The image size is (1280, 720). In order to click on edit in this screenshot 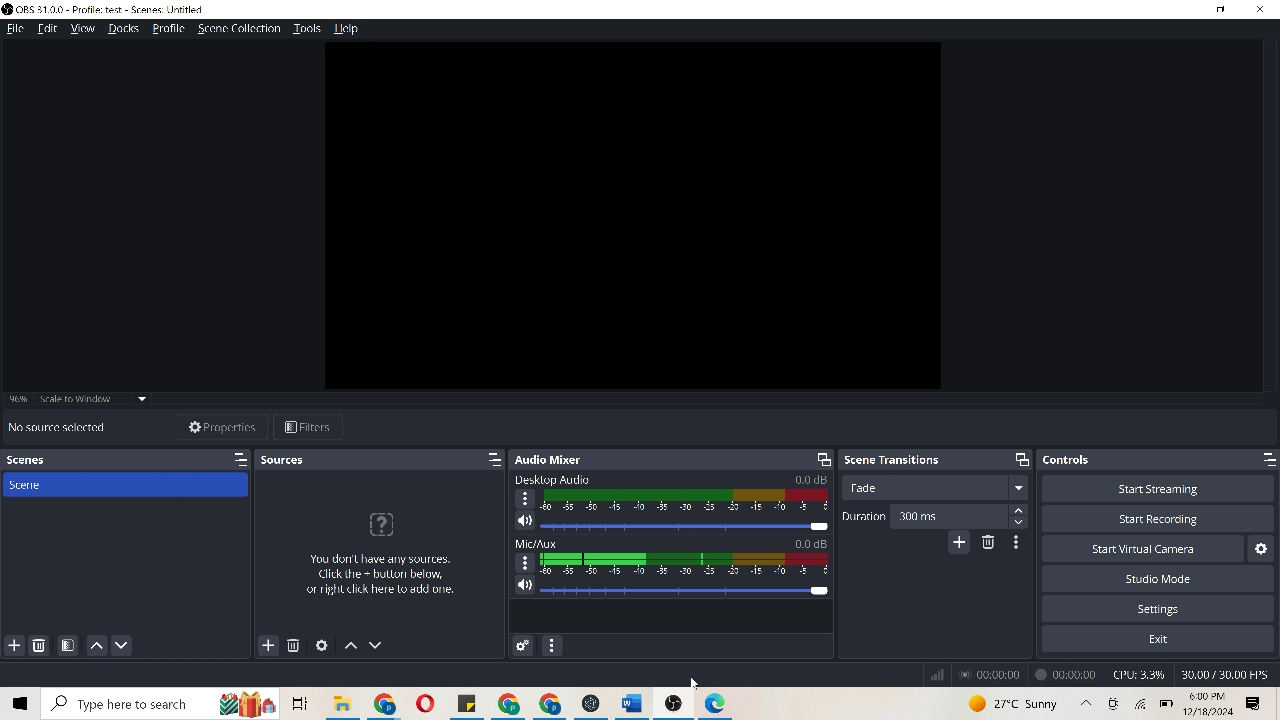, I will do `click(45, 30)`.